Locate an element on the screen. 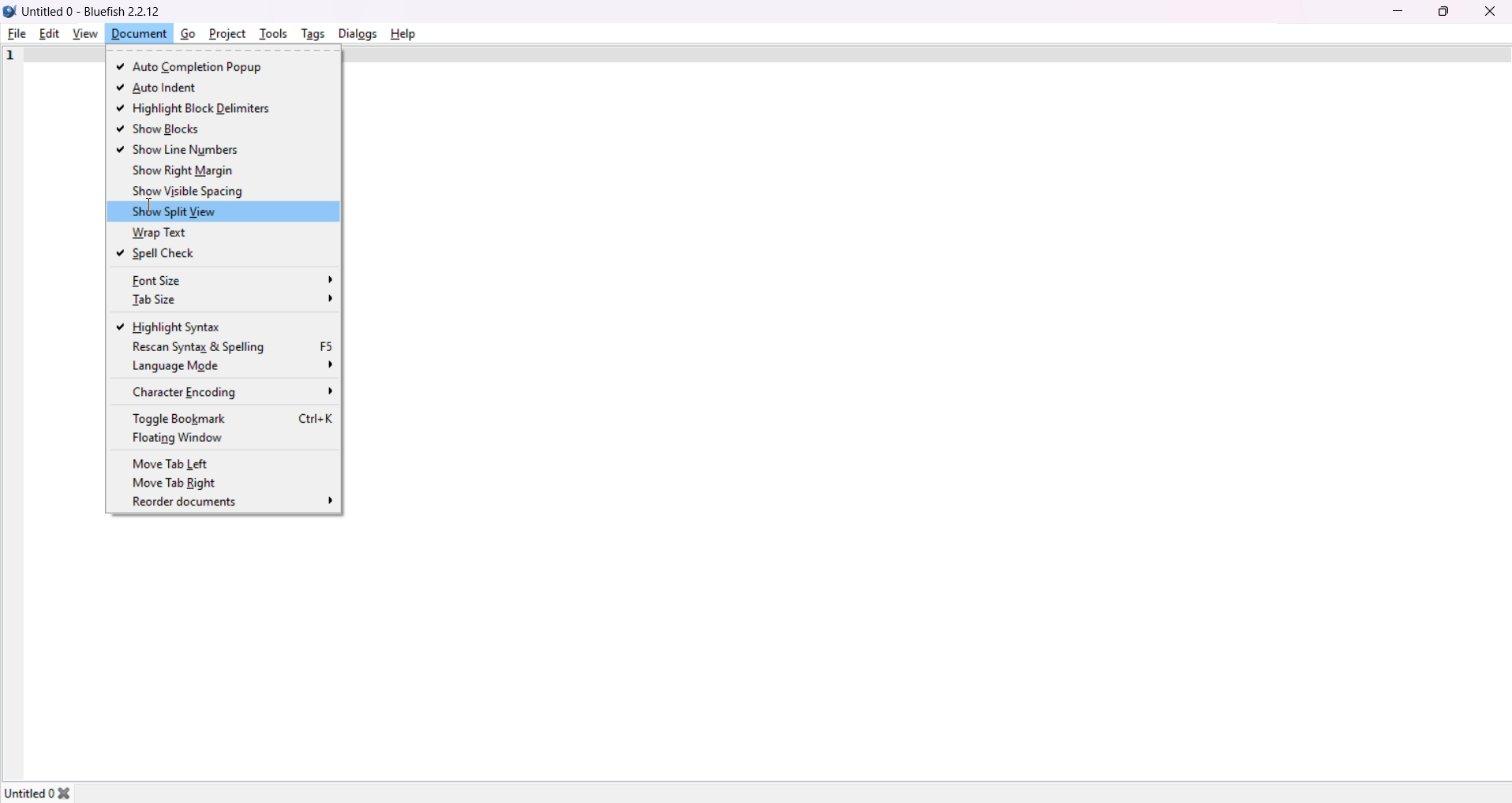 The height and width of the screenshot is (803, 1512). edit is located at coordinates (49, 32).